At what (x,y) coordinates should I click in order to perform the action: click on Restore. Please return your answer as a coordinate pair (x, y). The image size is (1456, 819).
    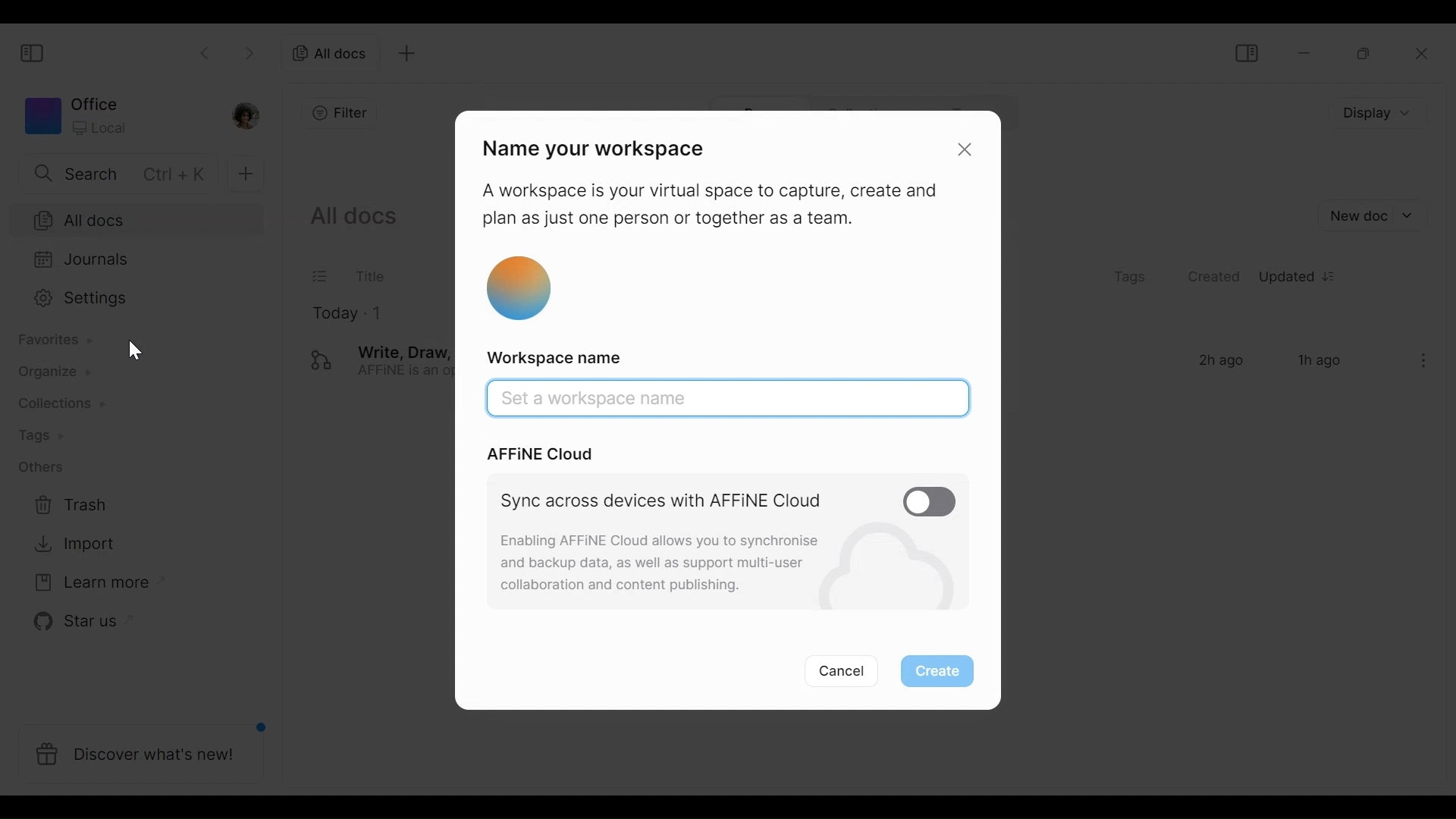
    Looking at the image, I should click on (1363, 52).